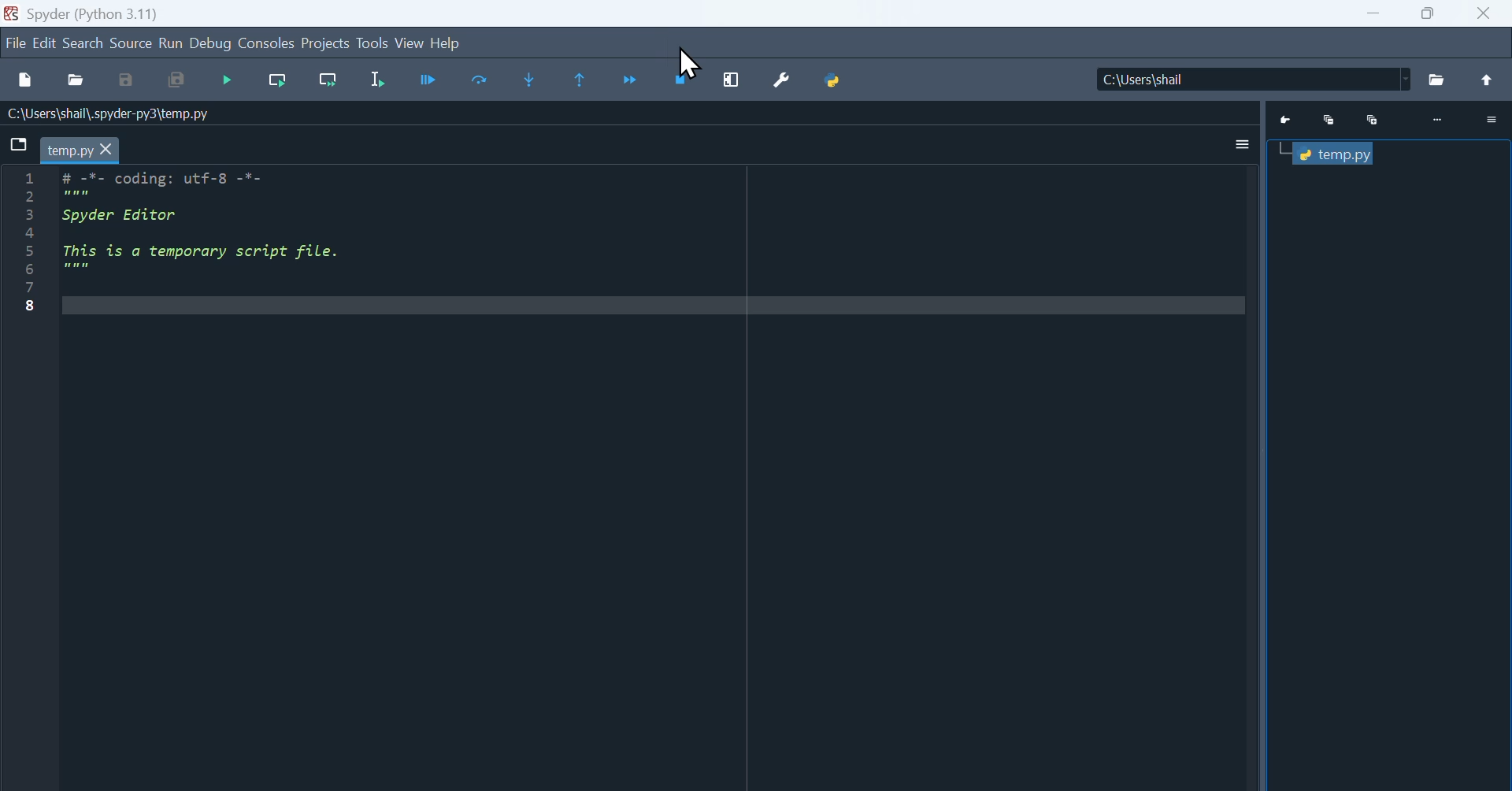  What do you see at coordinates (1332, 121) in the screenshot?
I see `Minimize` at bounding box center [1332, 121].